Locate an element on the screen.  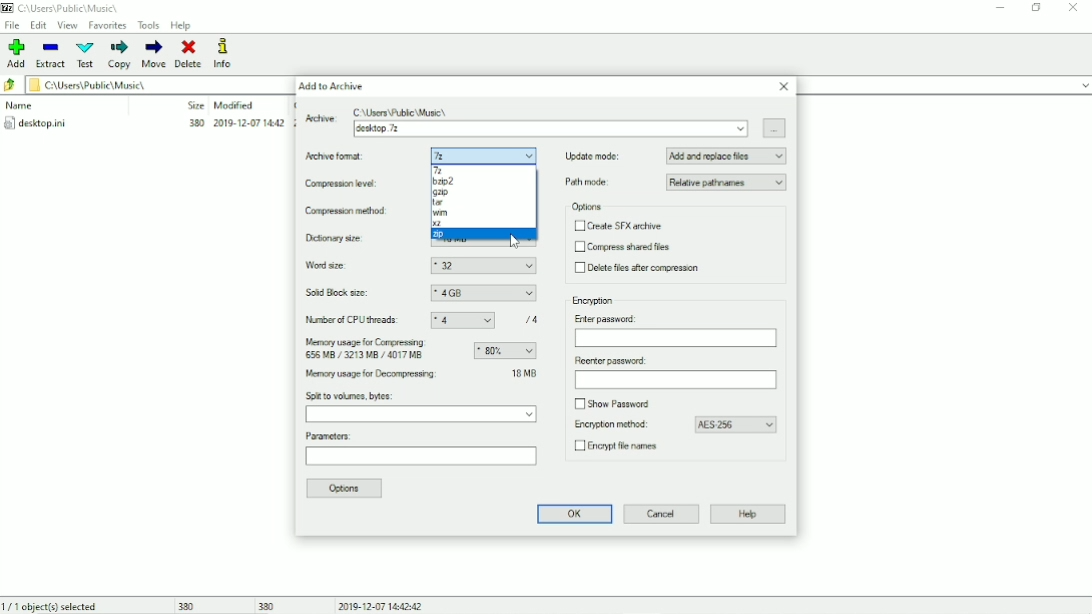
Location is located at coordinates (65, 8).